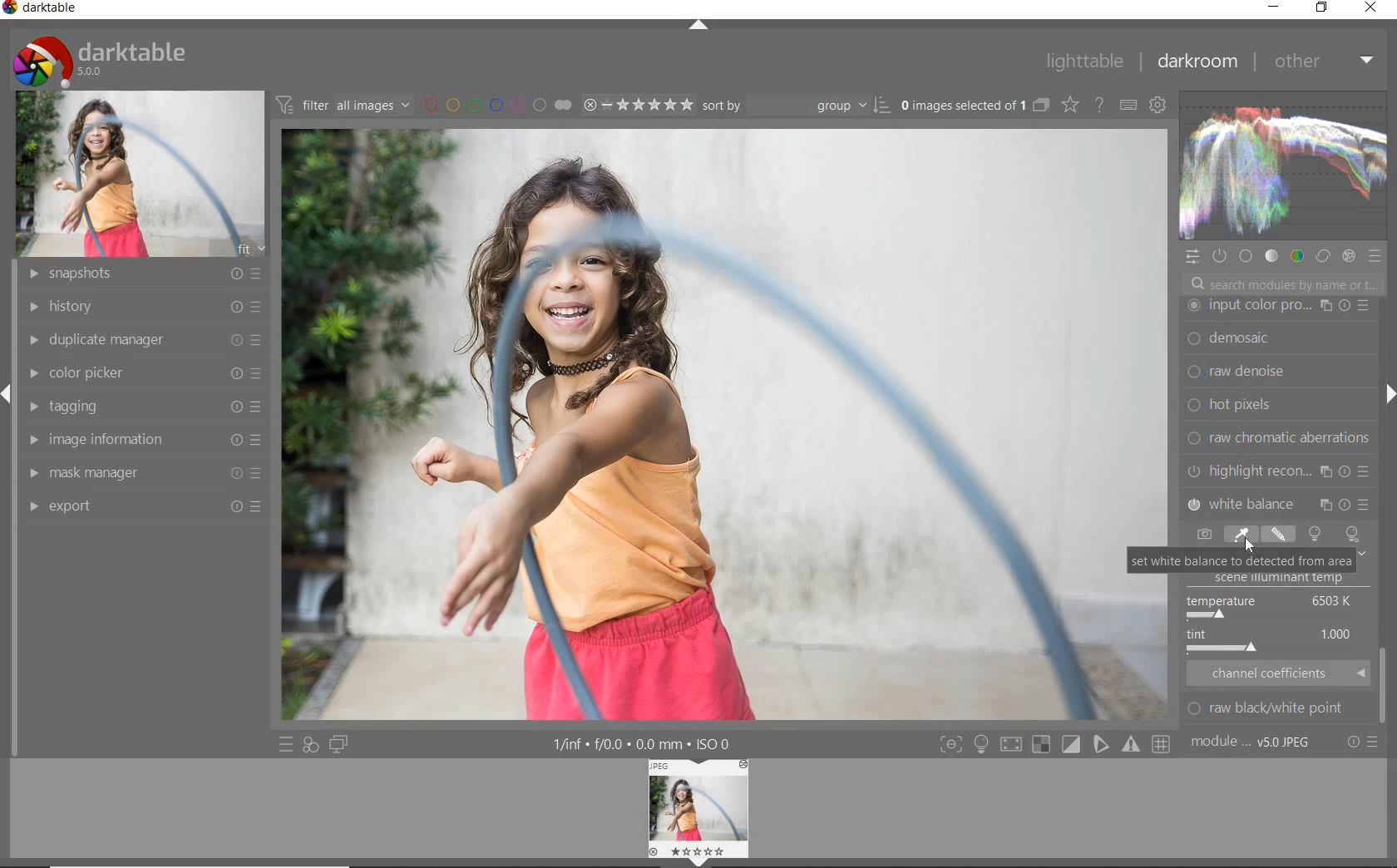  What do you see at coordinates (1193, 257) in the screenshot?
I see `quick access panel` at bounding box center [1193, 257].